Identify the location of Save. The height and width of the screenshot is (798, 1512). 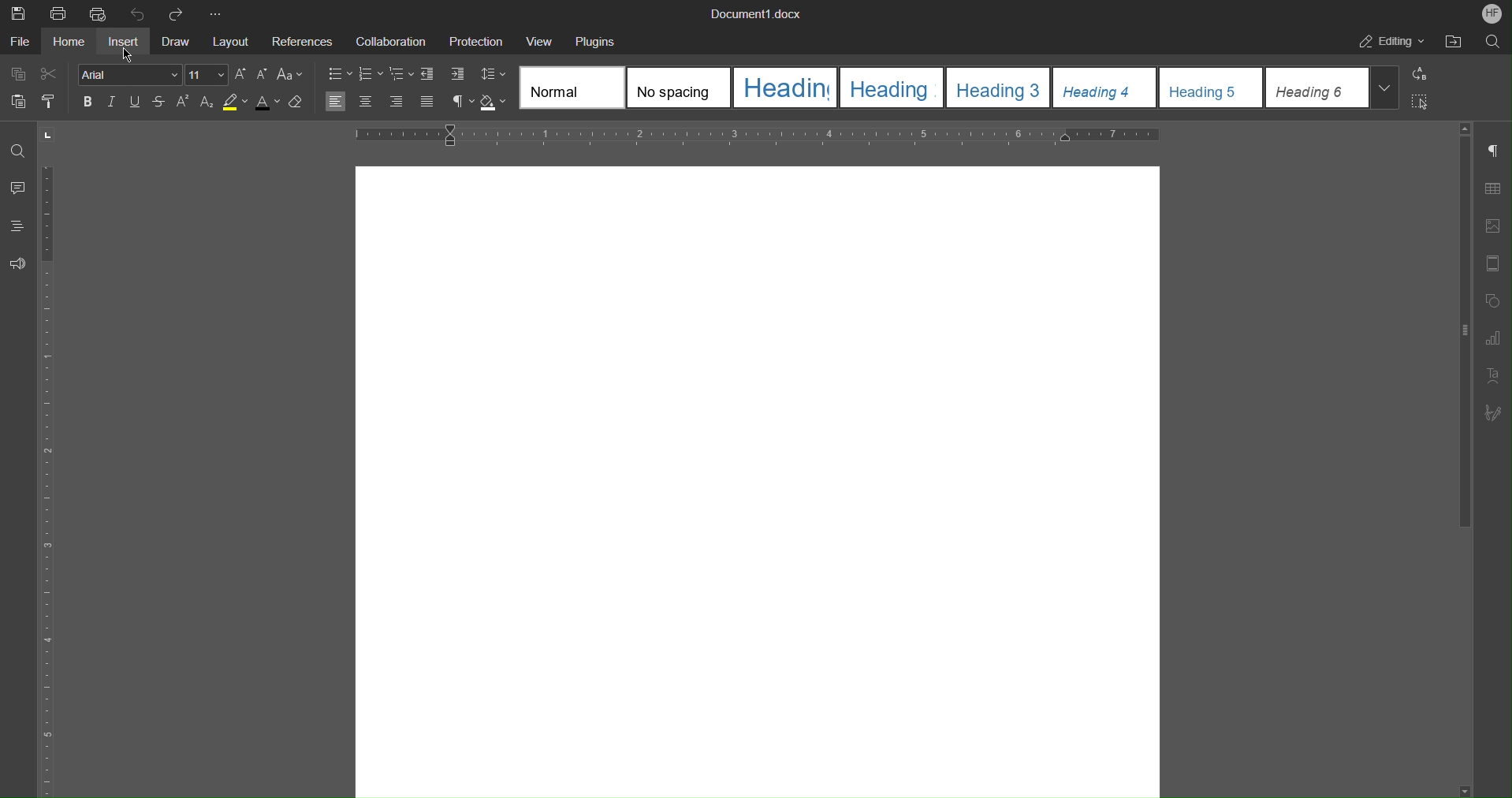
(16, 12).